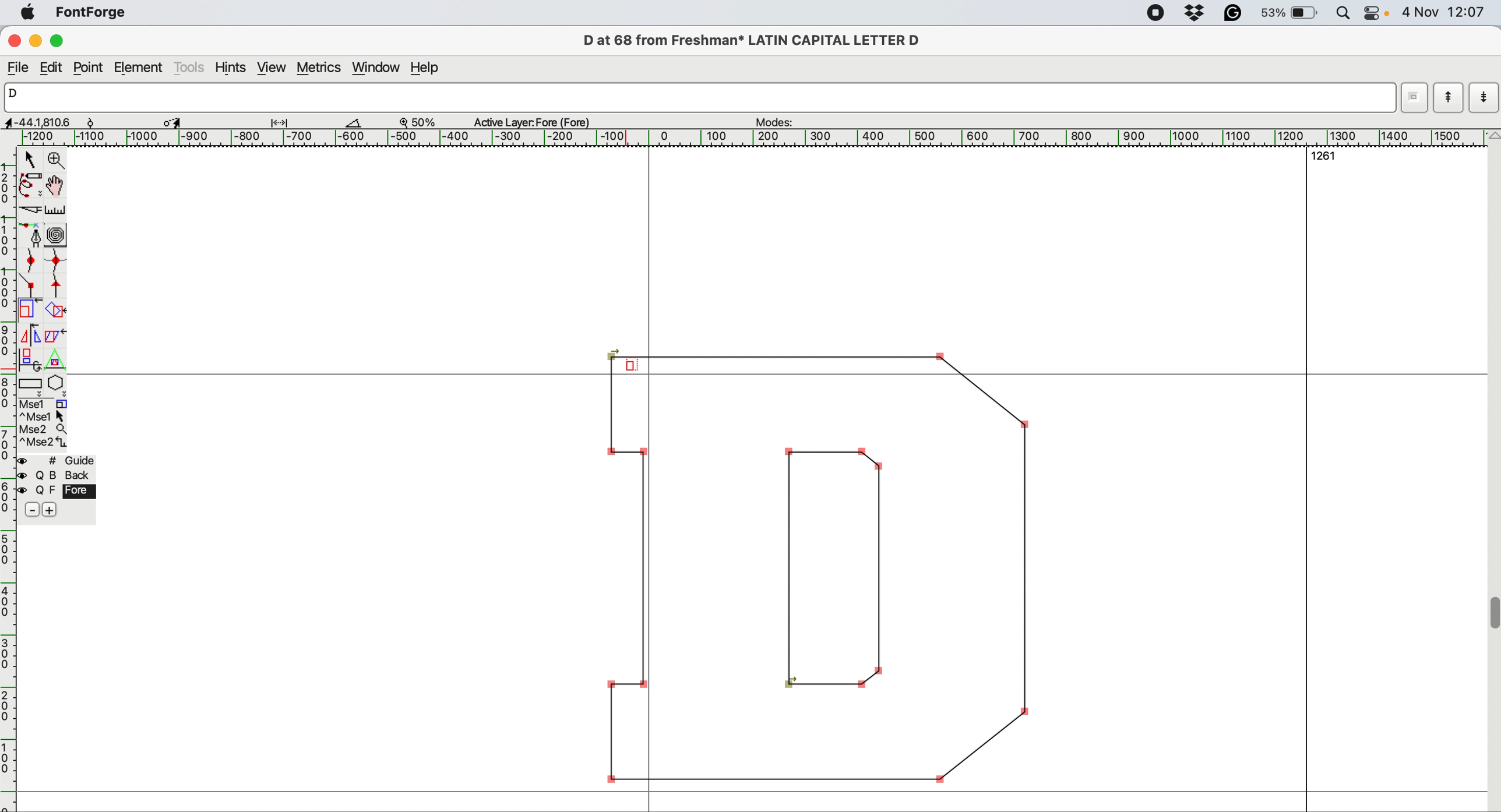 The width and height of the screenshot is (1501, 812). I want to click on Mse2, so click(46, 429).